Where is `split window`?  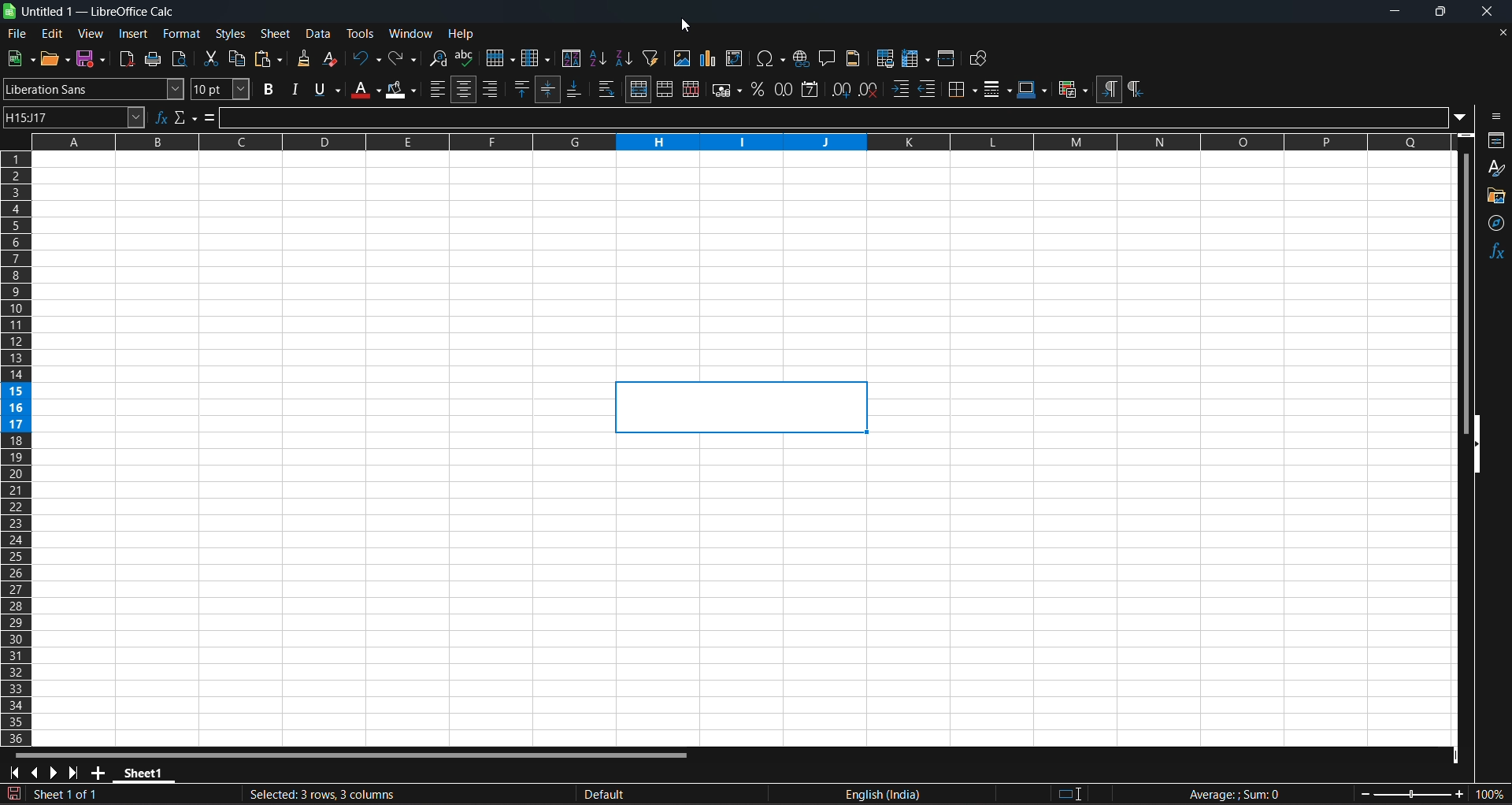
split window is located at coordinates (946, 59).